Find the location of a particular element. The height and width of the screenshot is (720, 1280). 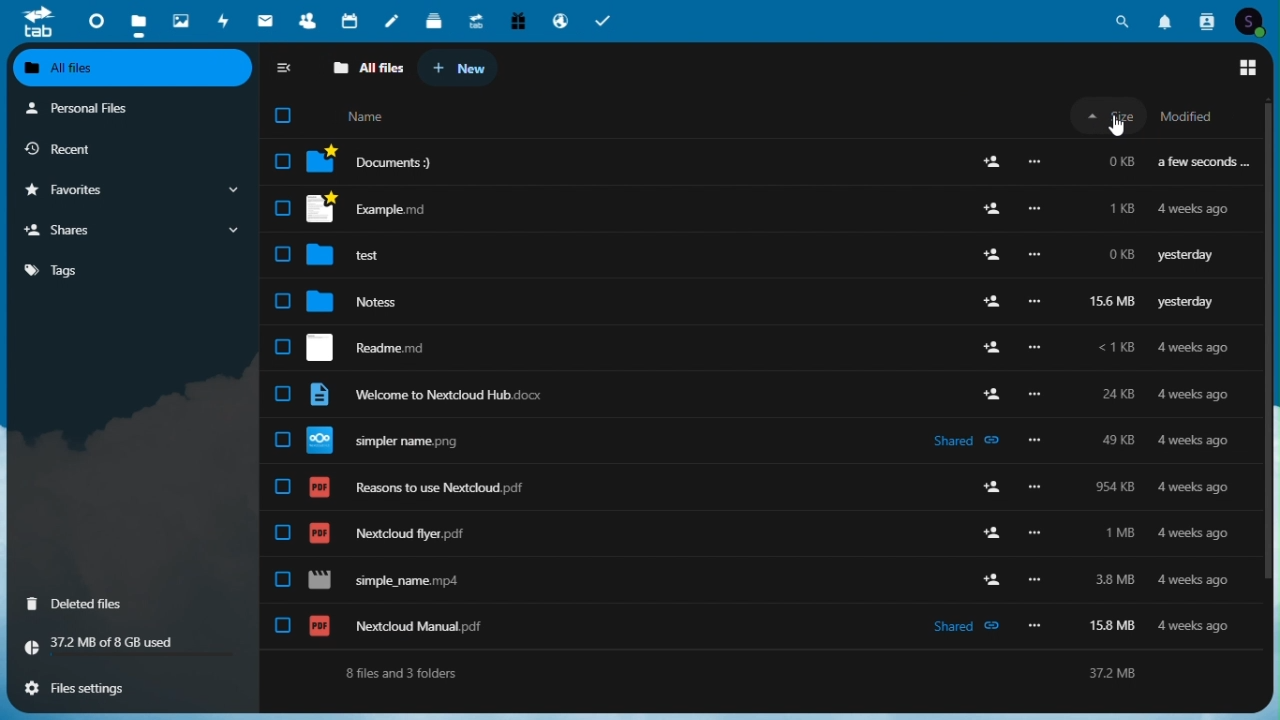

notes  is located at coordinates (395, 21).